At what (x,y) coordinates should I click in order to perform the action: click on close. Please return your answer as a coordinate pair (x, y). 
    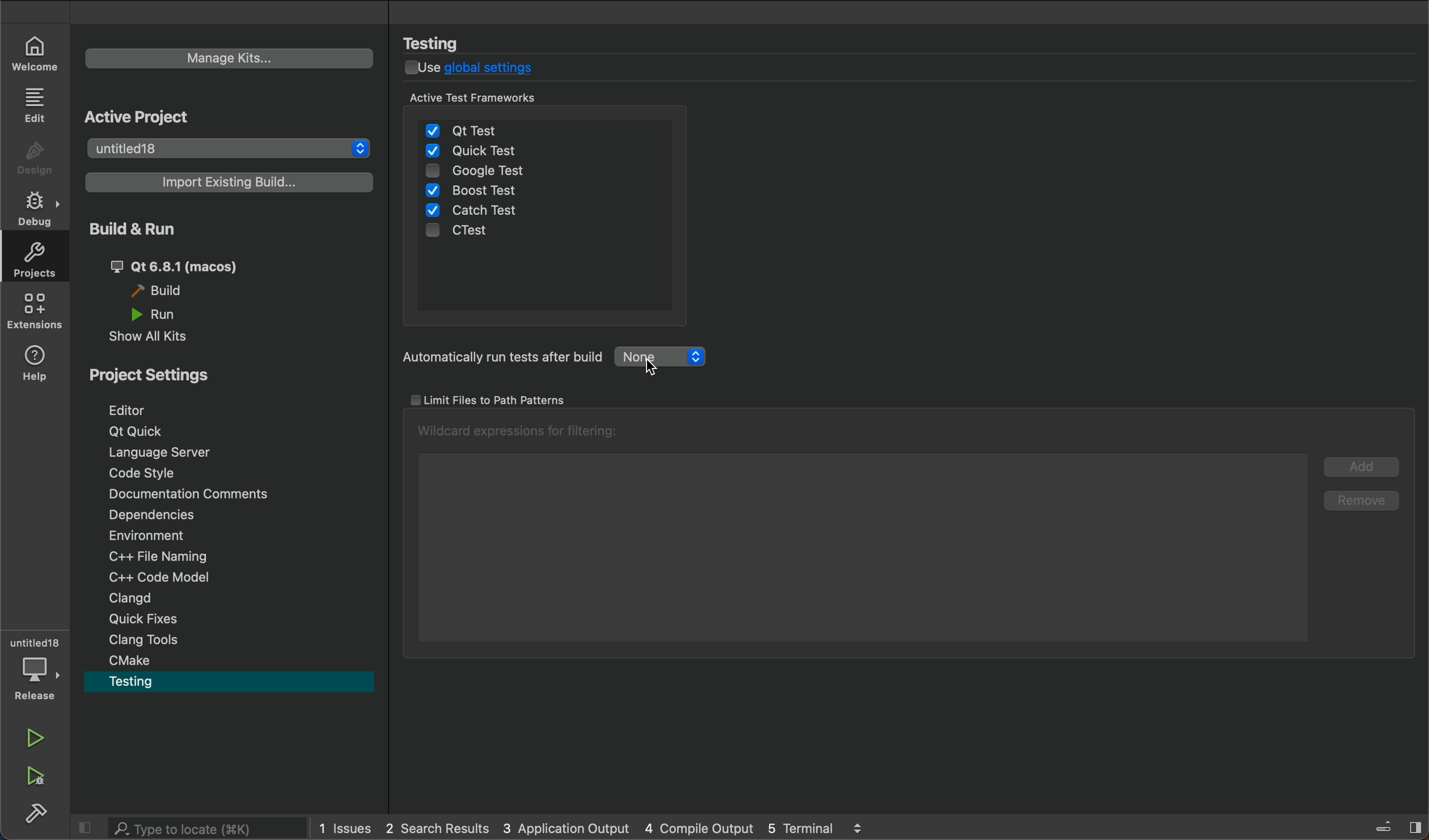
    Looking at the image, I should click on (84, 828).